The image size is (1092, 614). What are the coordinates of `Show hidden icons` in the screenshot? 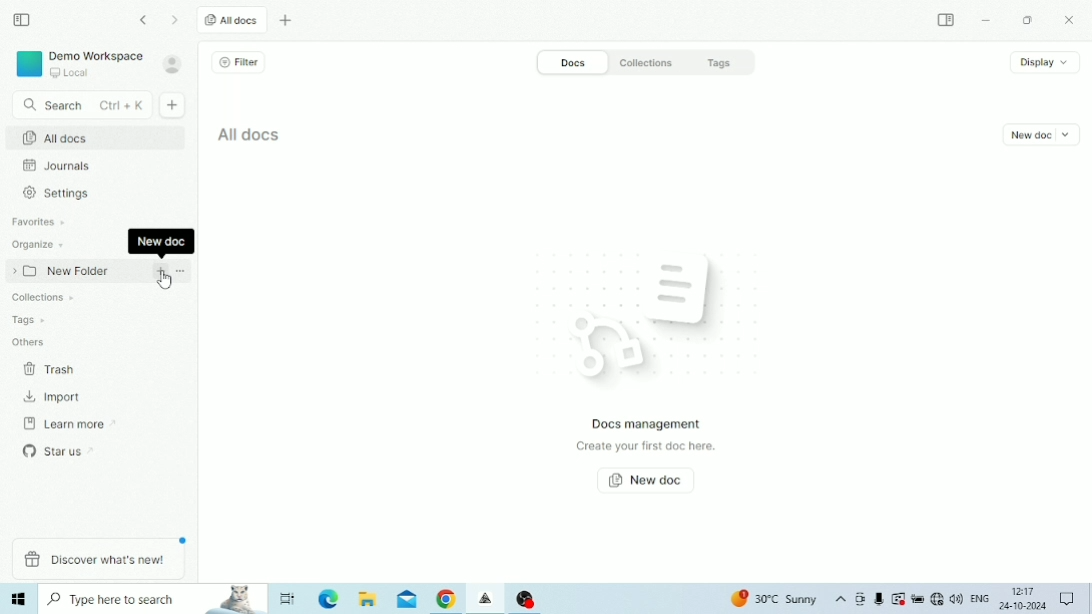 It's located at (841, 600).